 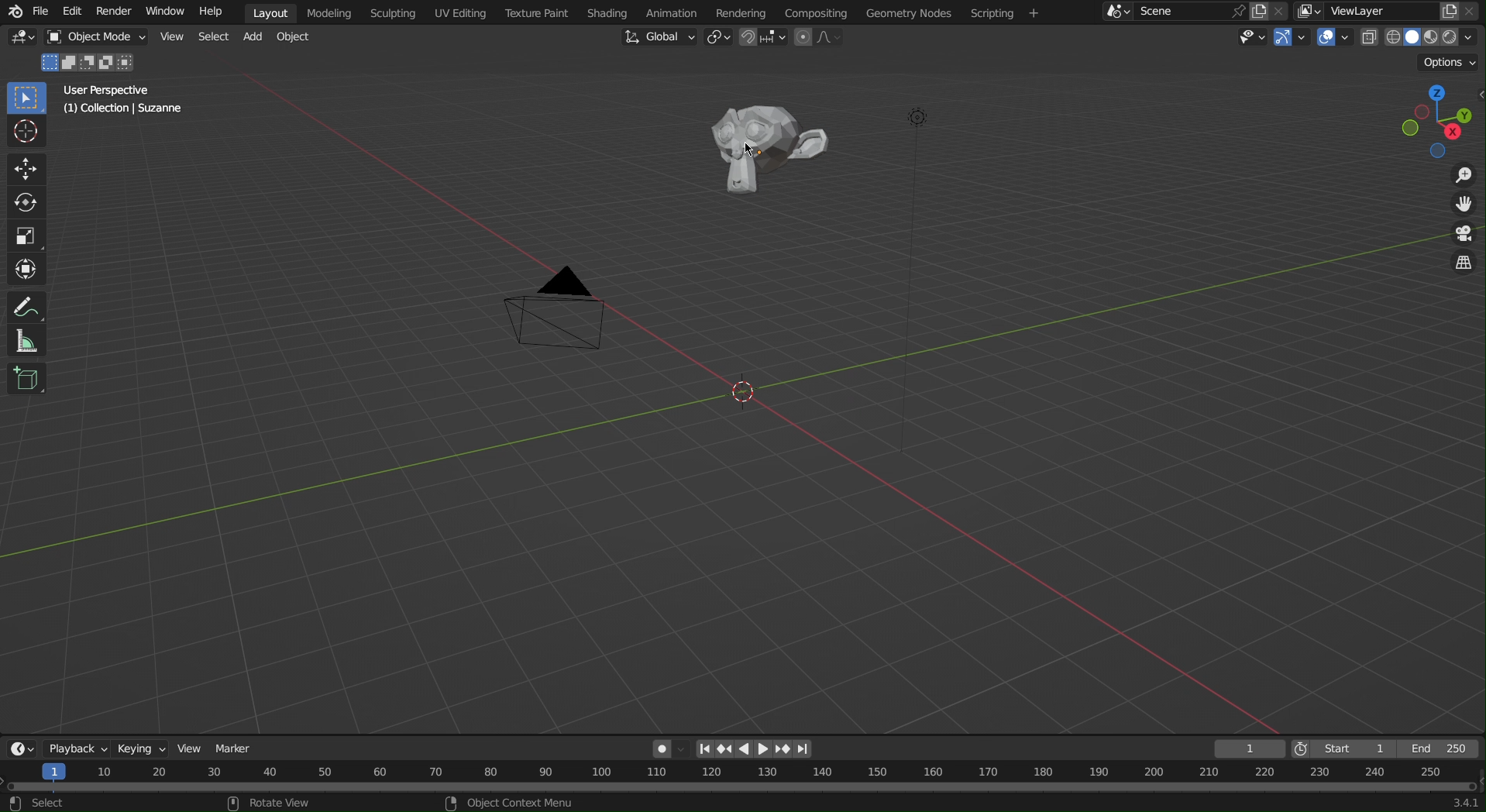 What do you see at coordinates (1465, 803) in the screenshot?
I see `3.4.1` at bounding box center [1465, 803].